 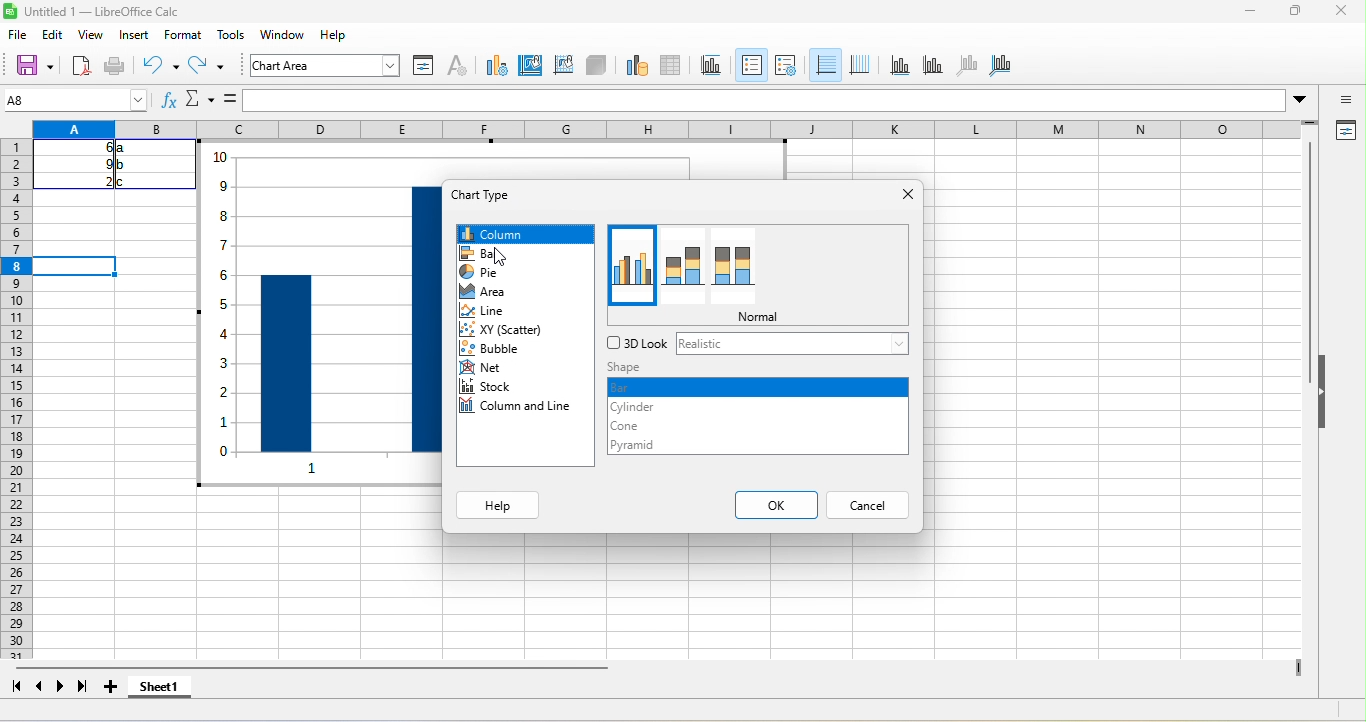 What do you see at coordinates (208, 66) in the screenshot?
I see `redo` at bounding box center [208, 66].